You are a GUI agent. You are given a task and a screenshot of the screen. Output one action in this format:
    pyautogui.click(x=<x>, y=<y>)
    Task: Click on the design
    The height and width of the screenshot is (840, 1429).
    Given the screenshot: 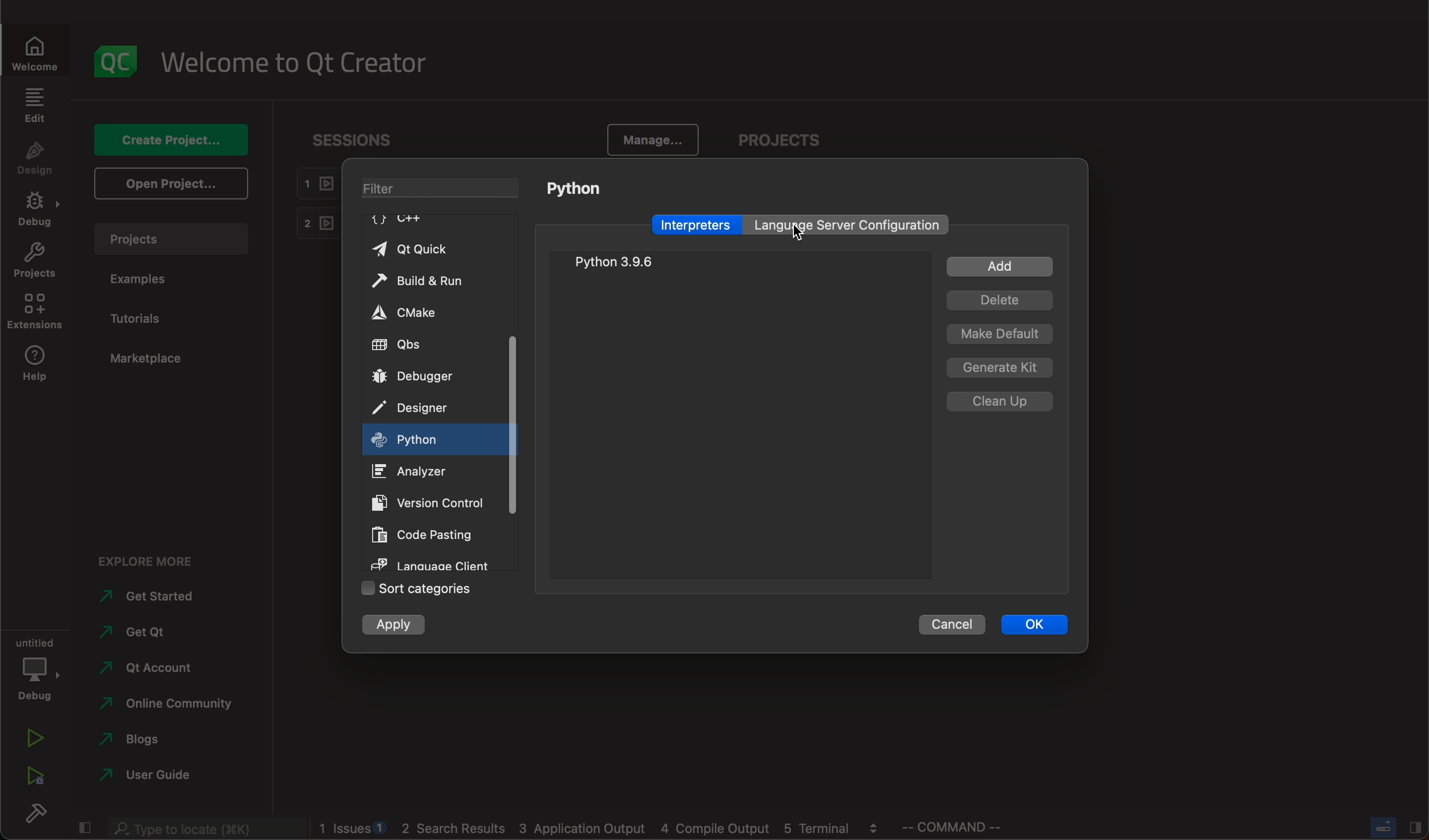 What is the action you would take?
    pyautogui.click(x=31, y=159)
    